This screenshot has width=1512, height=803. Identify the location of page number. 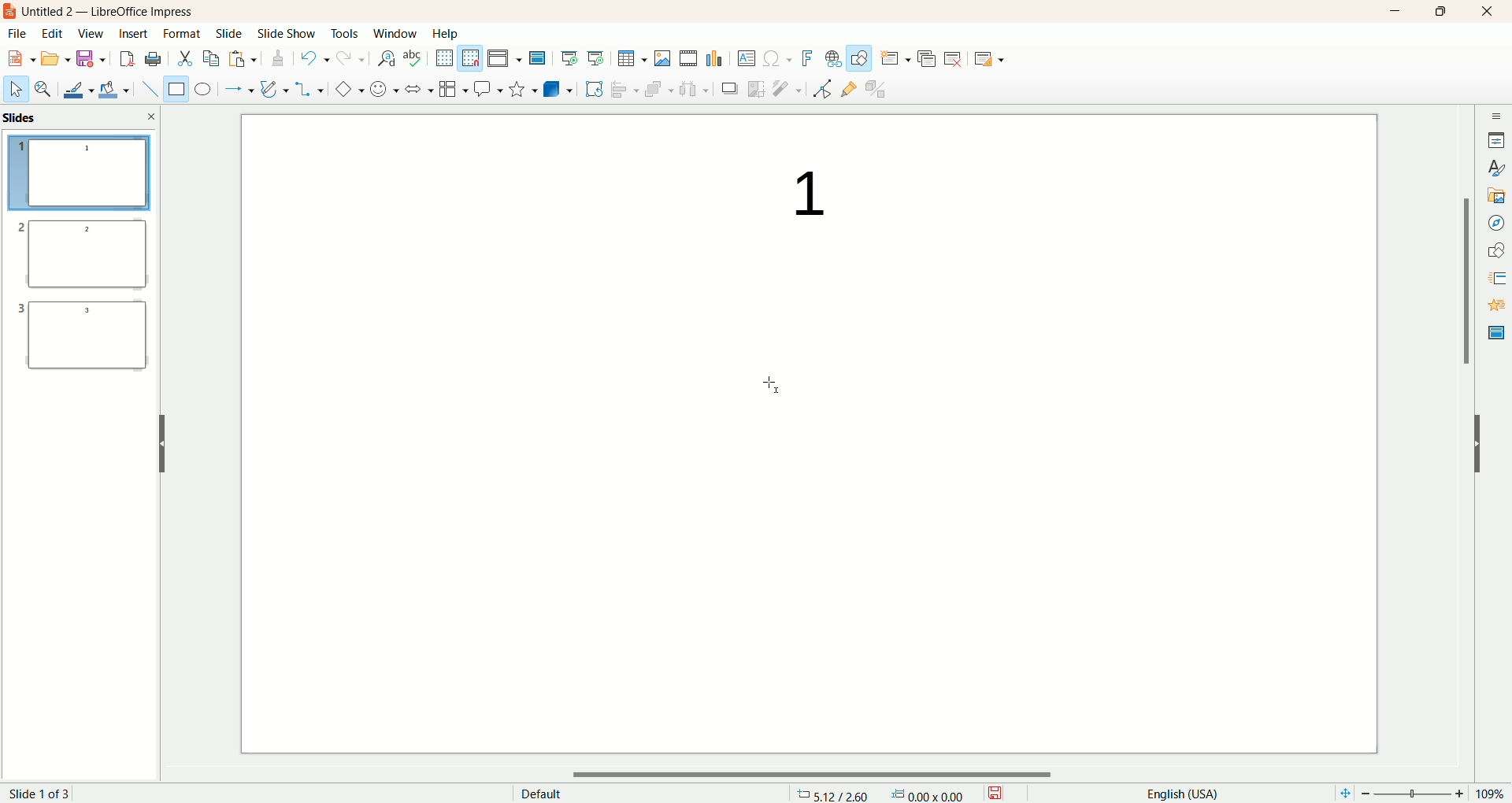
(54, 792).